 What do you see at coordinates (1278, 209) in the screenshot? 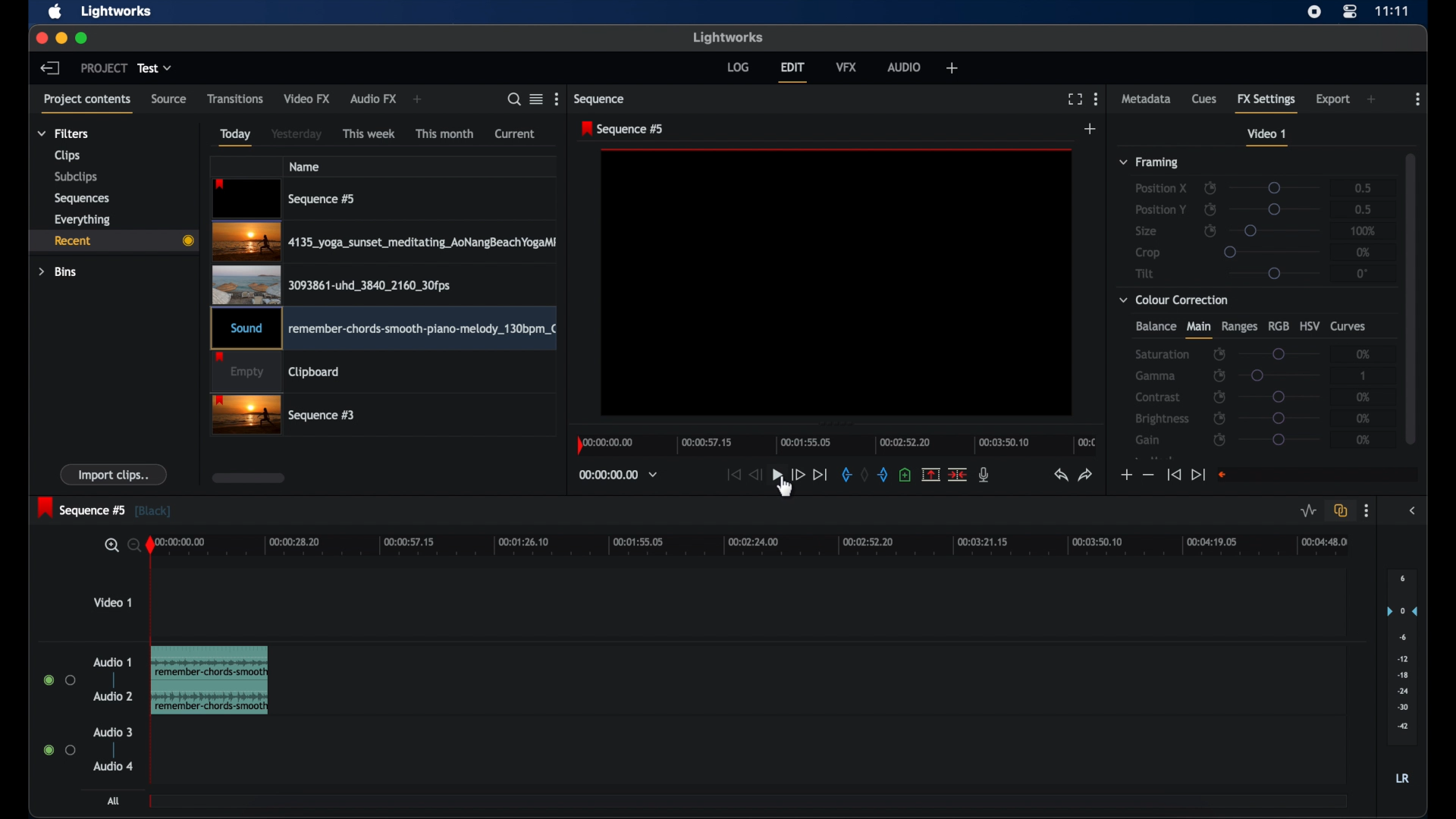
I see `slider` at bounding box center [1278, 209].